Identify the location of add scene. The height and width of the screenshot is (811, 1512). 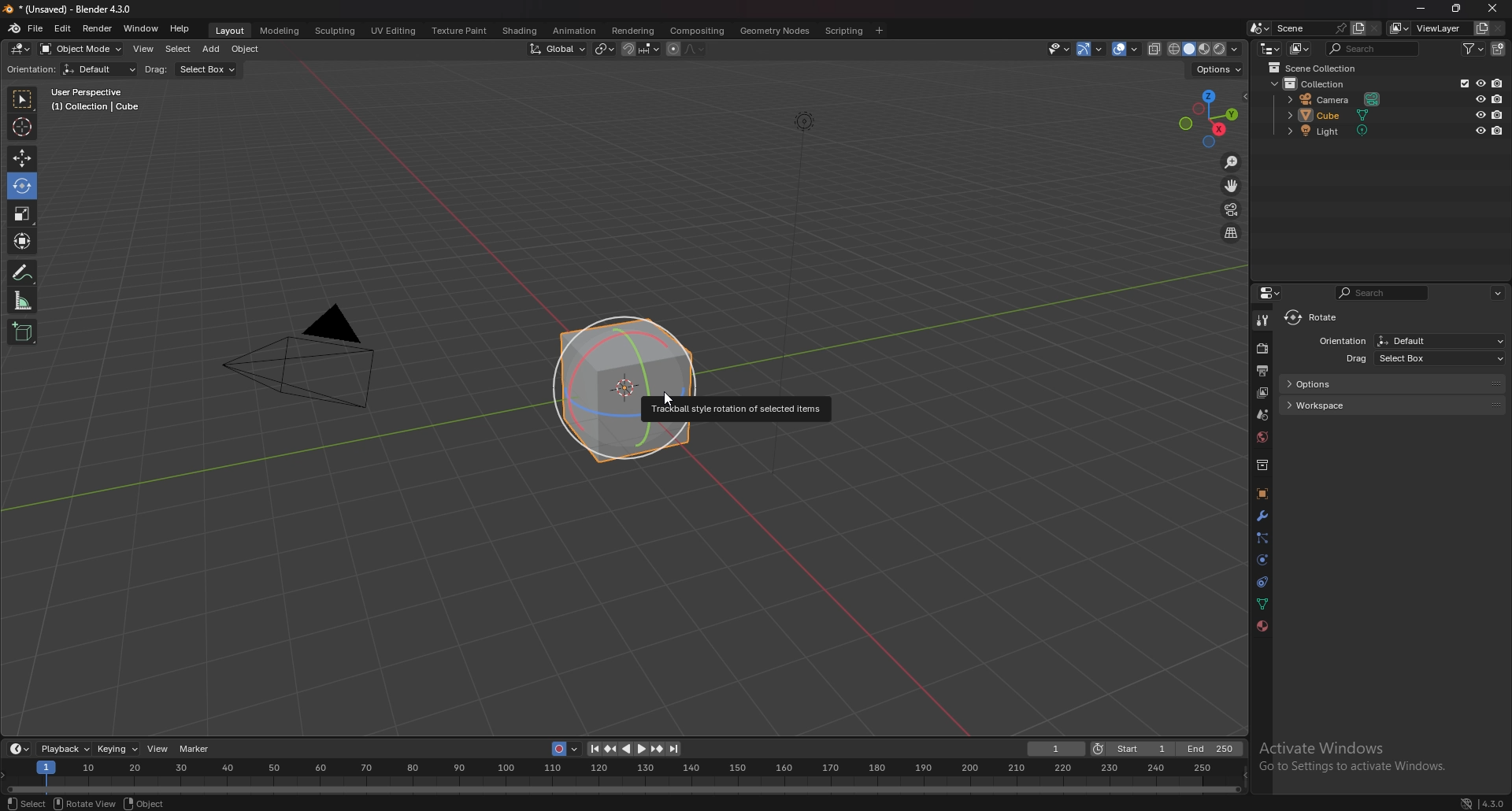
(1358, 28).